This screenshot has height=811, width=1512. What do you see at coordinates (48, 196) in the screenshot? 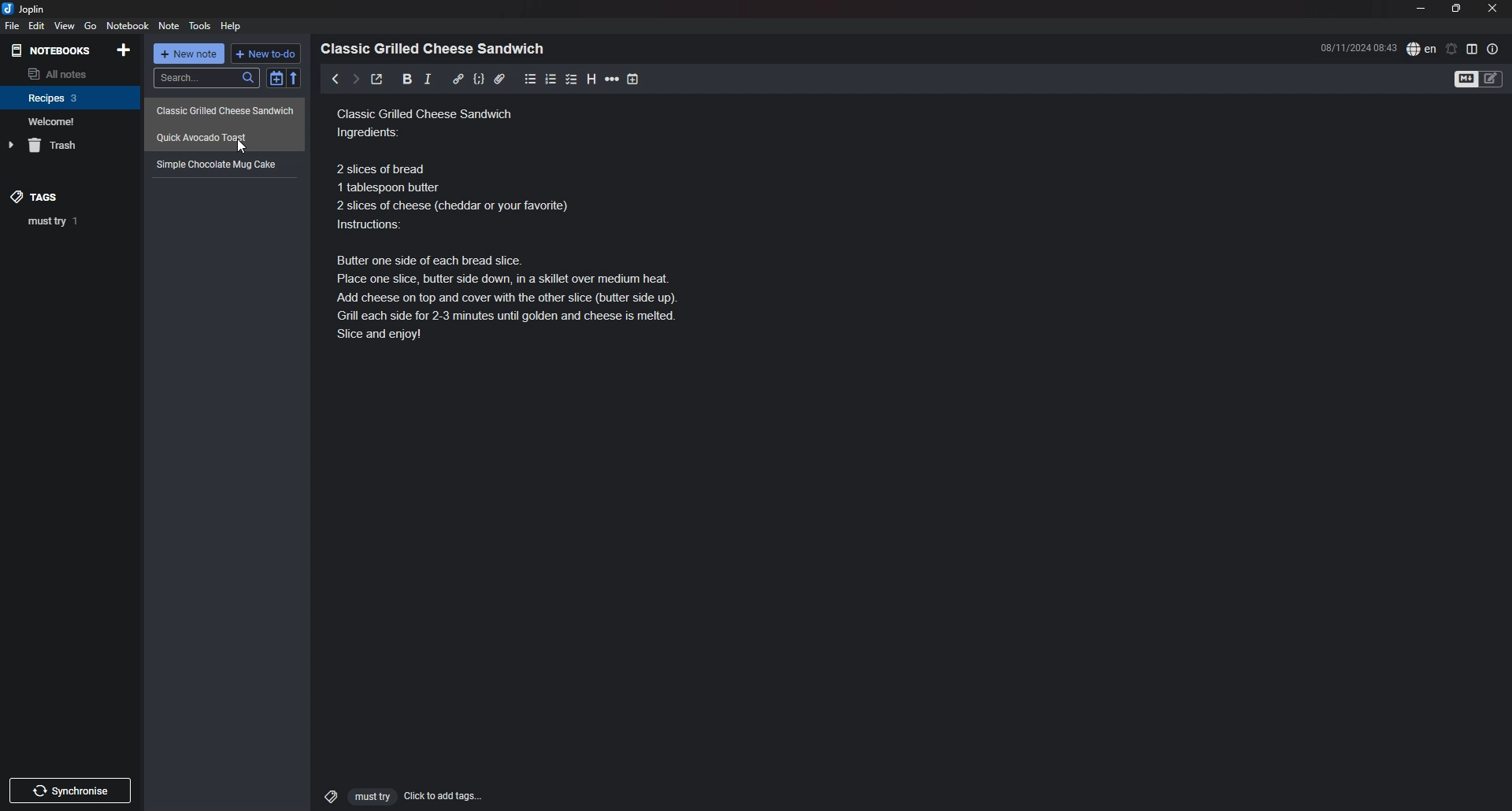
I see `tags` at bounding box center [48, 196].